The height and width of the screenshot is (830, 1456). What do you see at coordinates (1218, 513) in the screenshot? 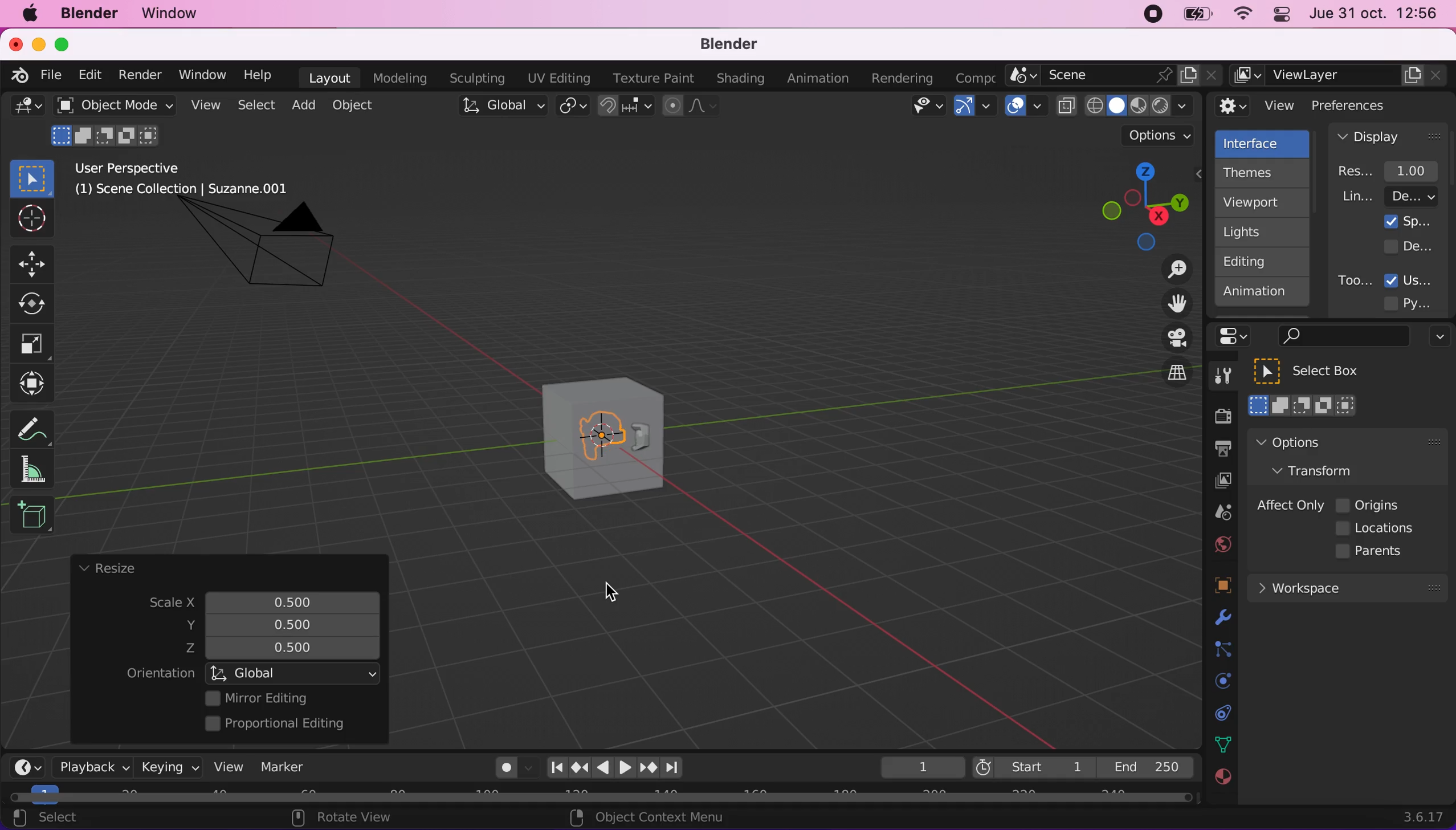
I see `scene` at bounding box center [1218, 513].